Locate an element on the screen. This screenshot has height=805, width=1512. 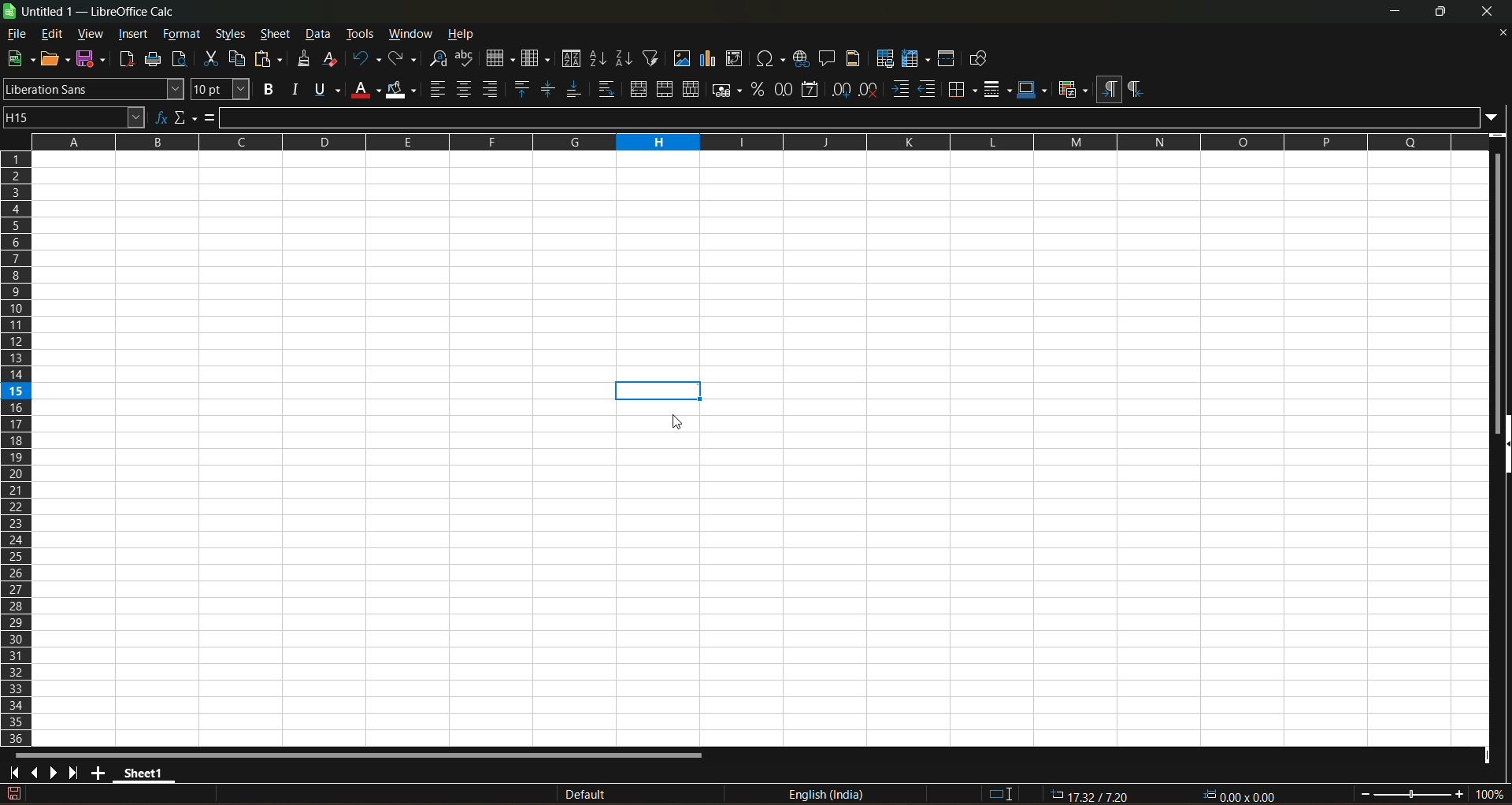
italic is located at coordinates (296, 91).